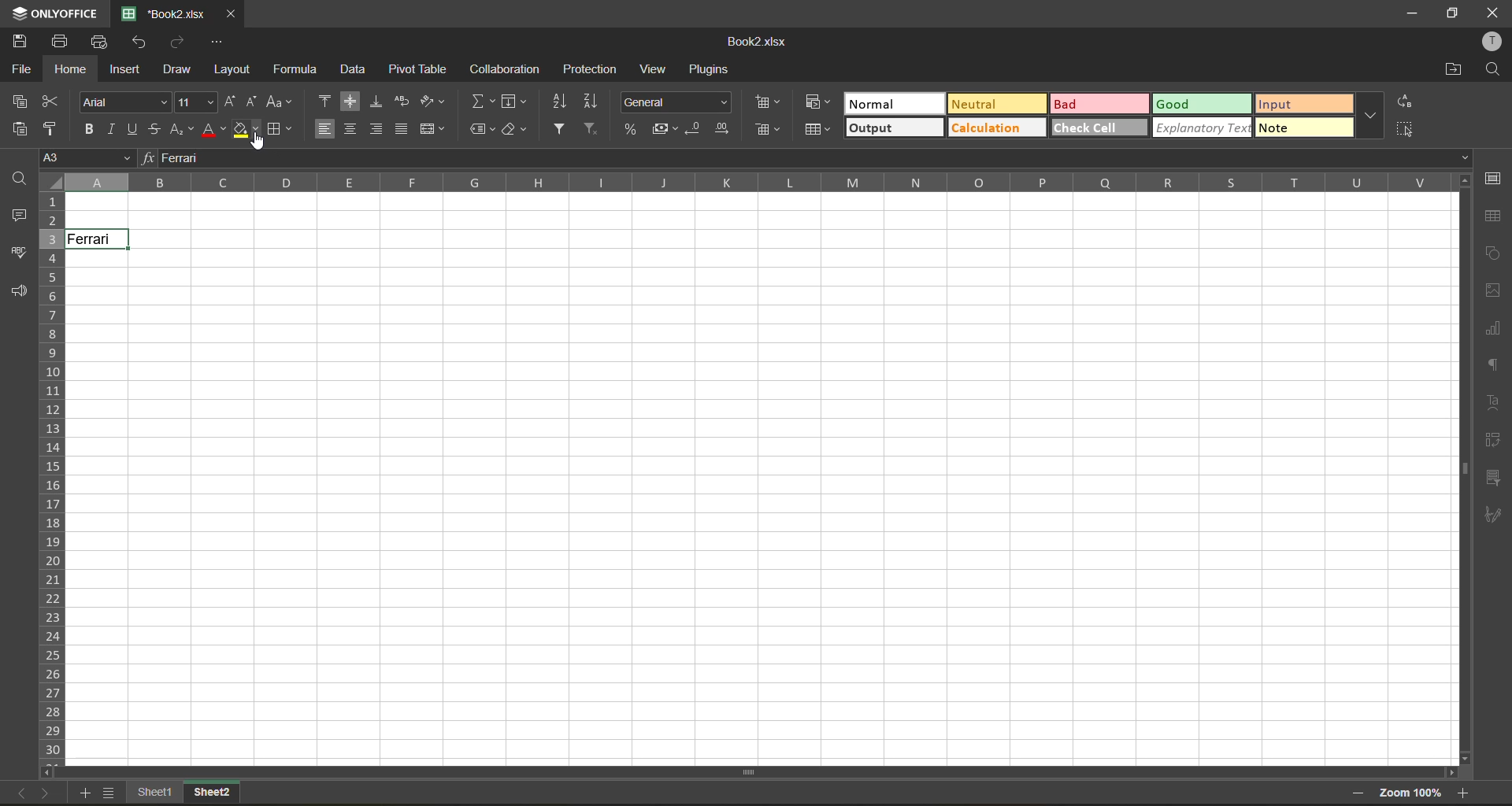  I want to click on table, so click(1496, 218).